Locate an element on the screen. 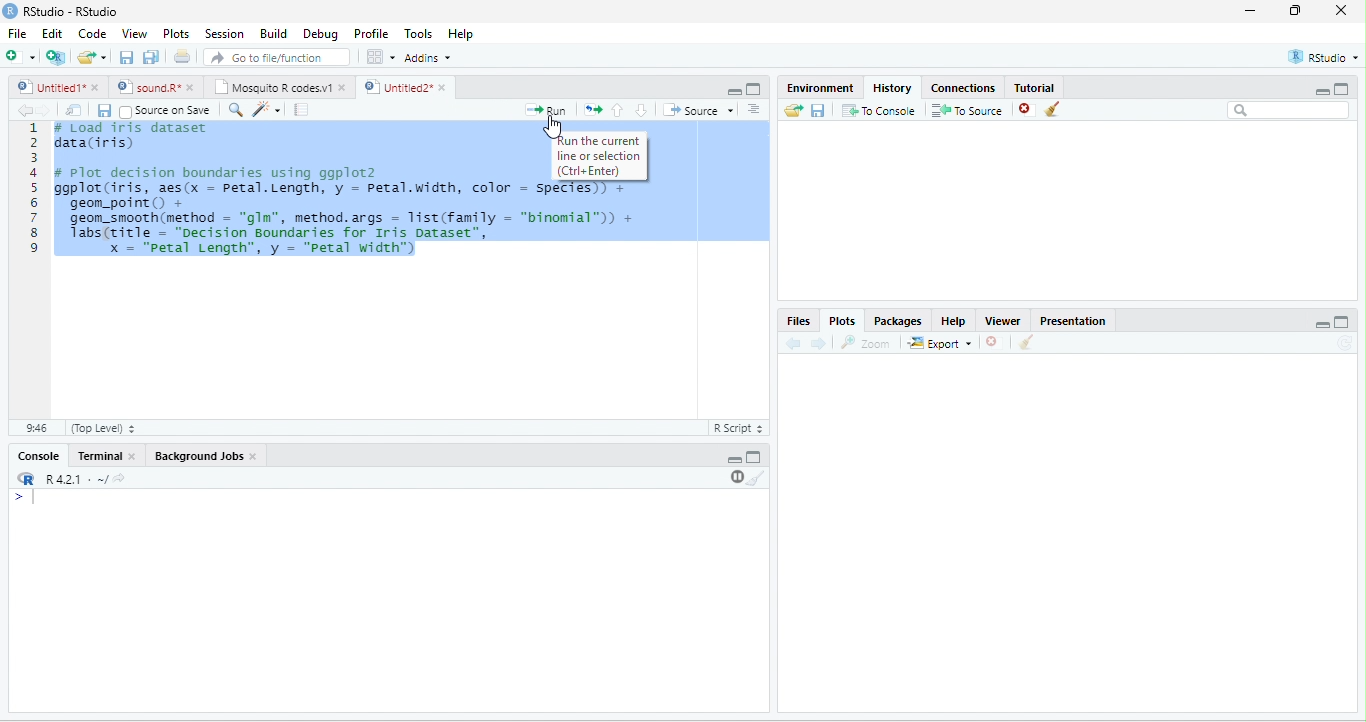 Image resolution: width=1366 pixels, height=722 pixels. forward is located at coordinates (46, 111).